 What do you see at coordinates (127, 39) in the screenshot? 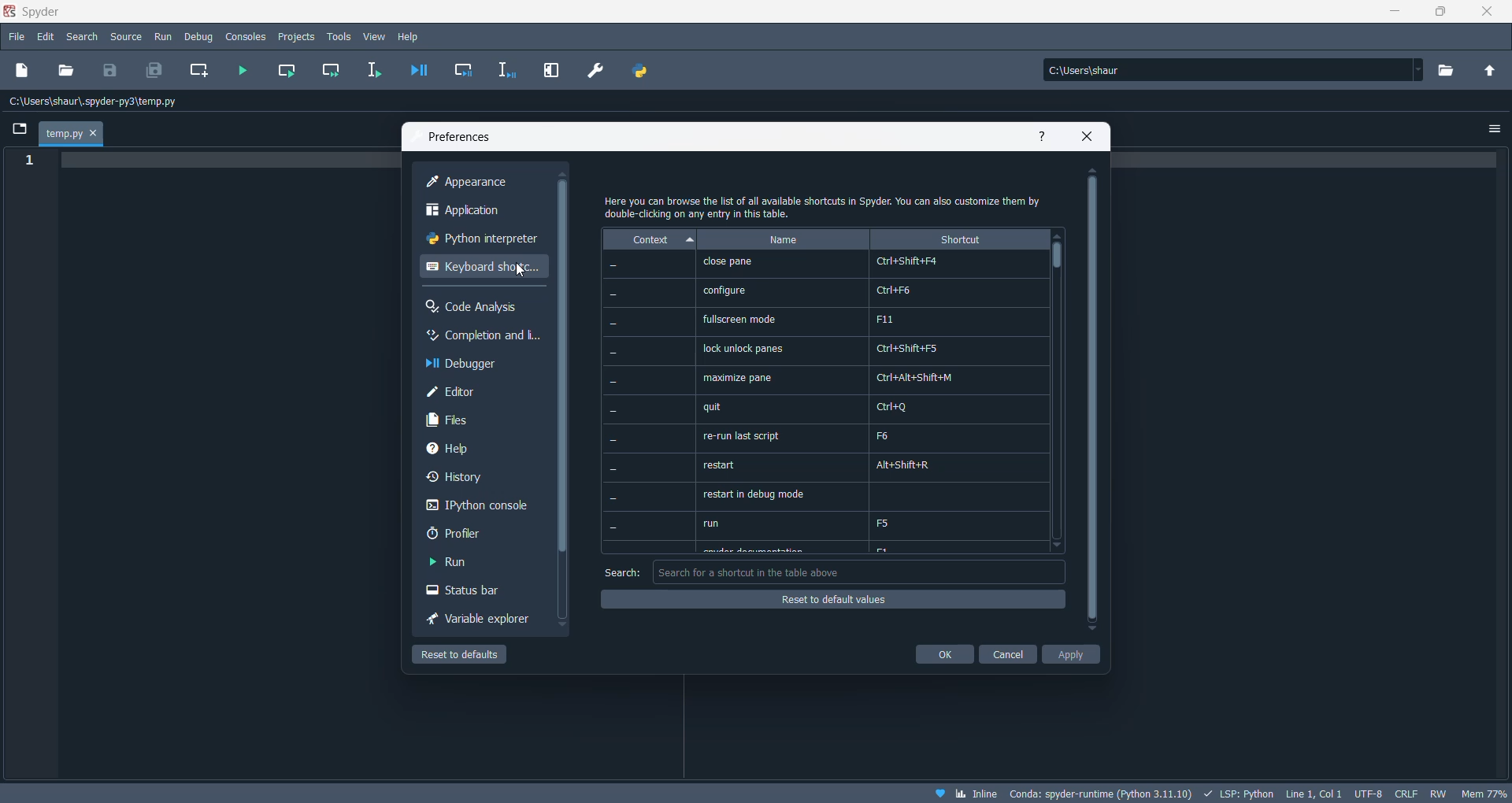
I see `source` at bounding box center [127, 39].